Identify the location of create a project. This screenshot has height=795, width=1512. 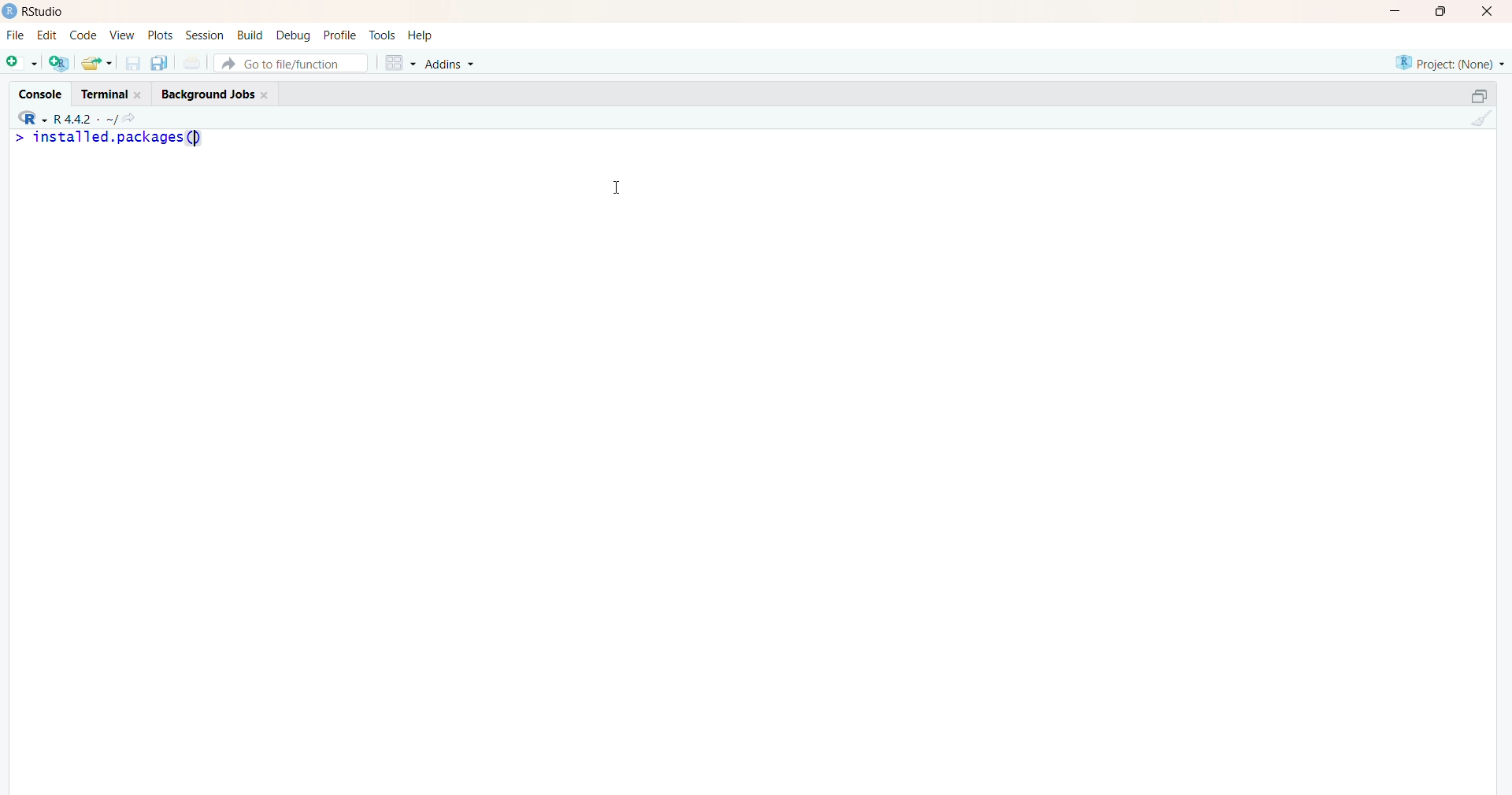
(58, 63).